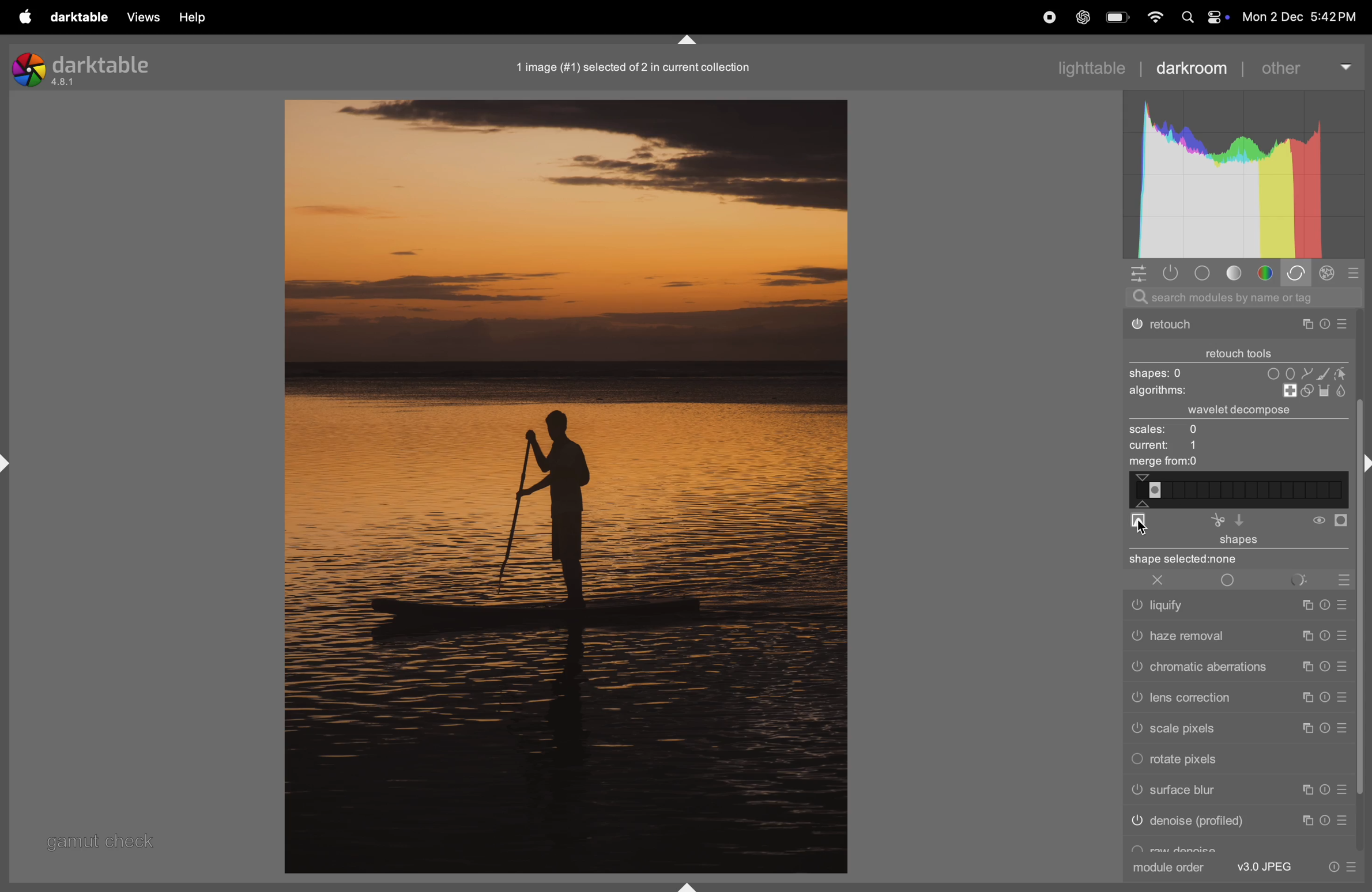 Image resolution: width=1372 pixels, height=892 pixels. I want to click on retouch, so click(1238, 327).